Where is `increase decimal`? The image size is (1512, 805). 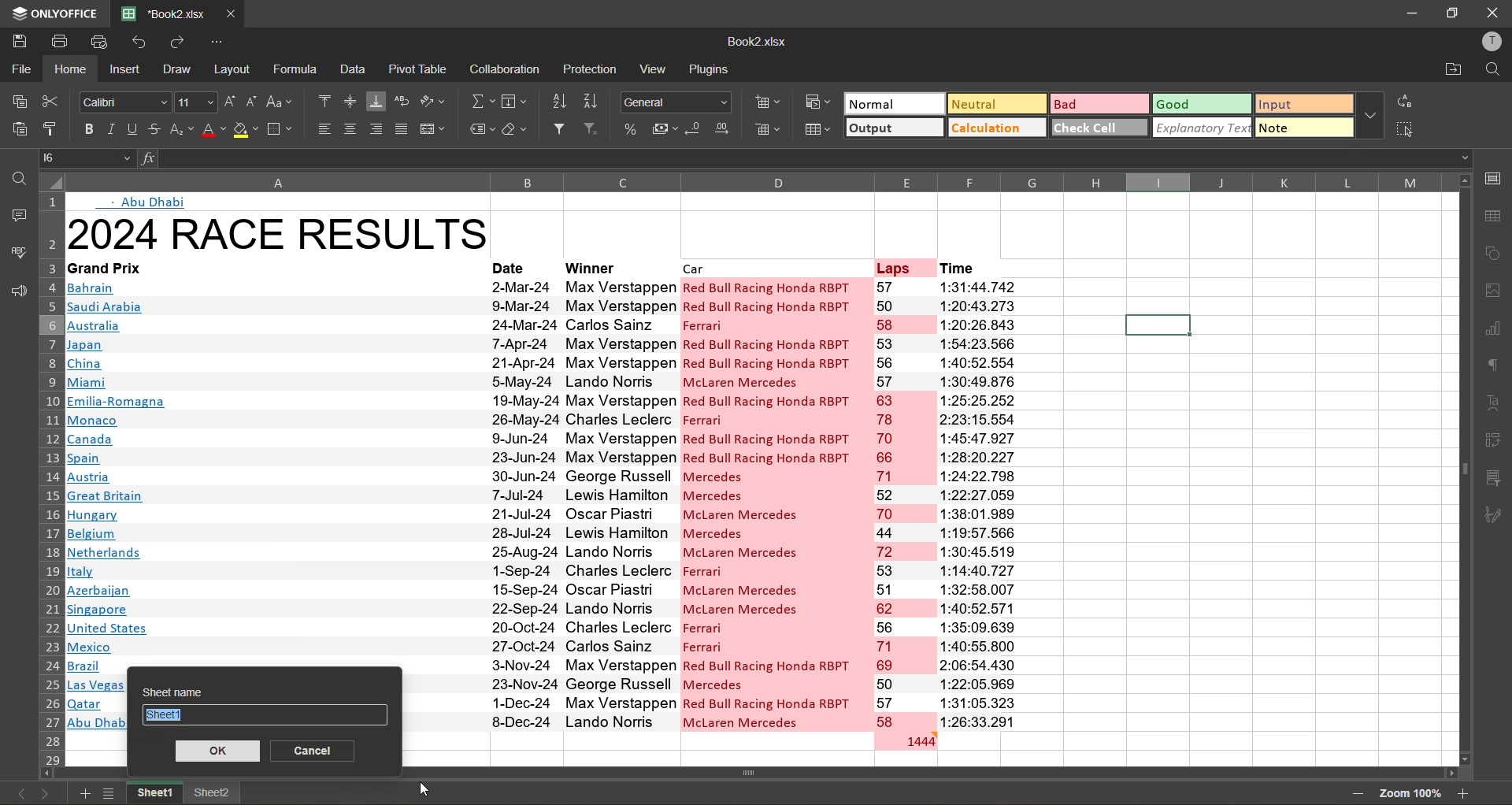 increase decimal is located at coordinates (726, 129).